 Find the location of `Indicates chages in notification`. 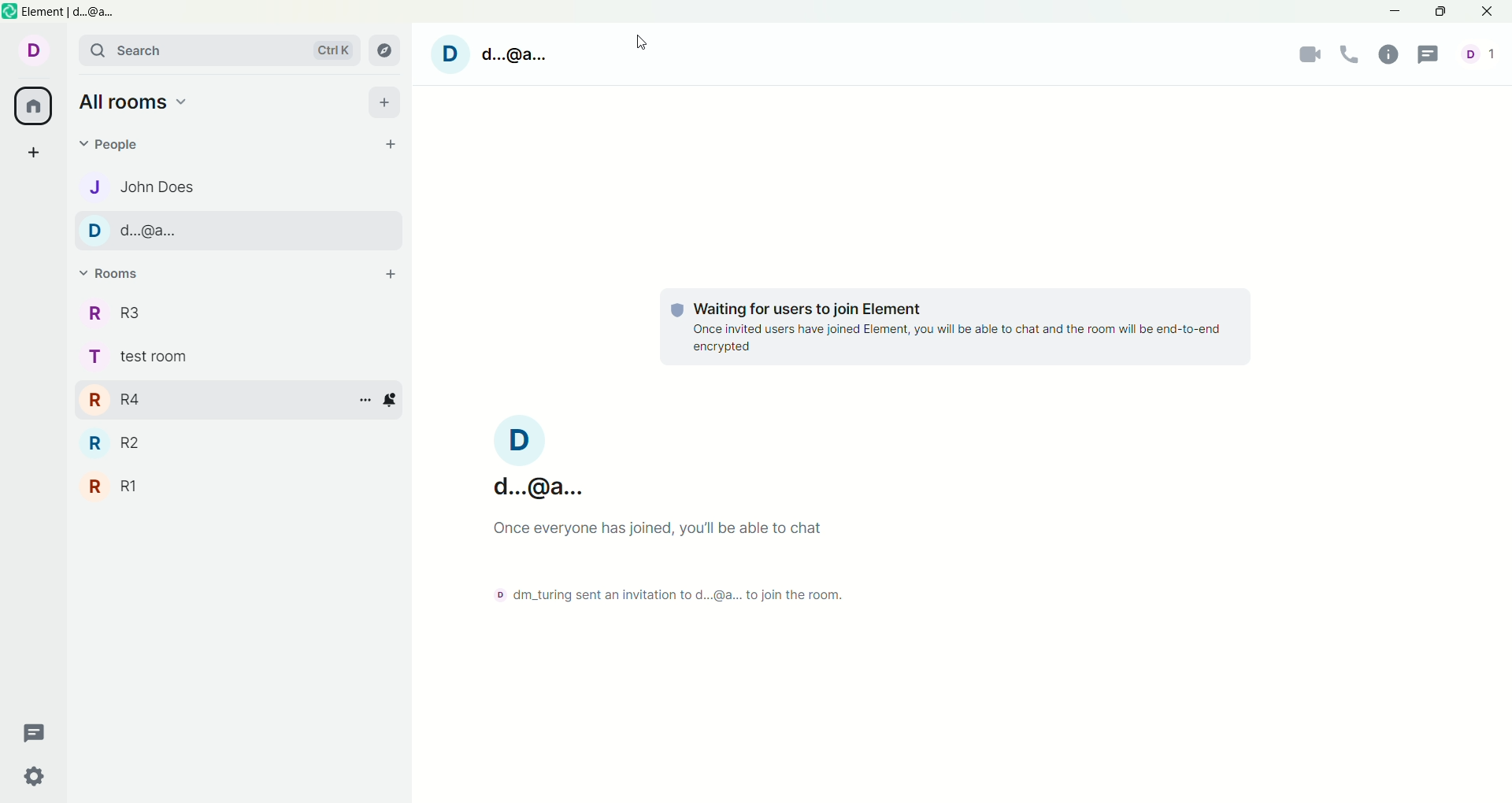

Indicates chages in notification is located at coordinates (390, 403).